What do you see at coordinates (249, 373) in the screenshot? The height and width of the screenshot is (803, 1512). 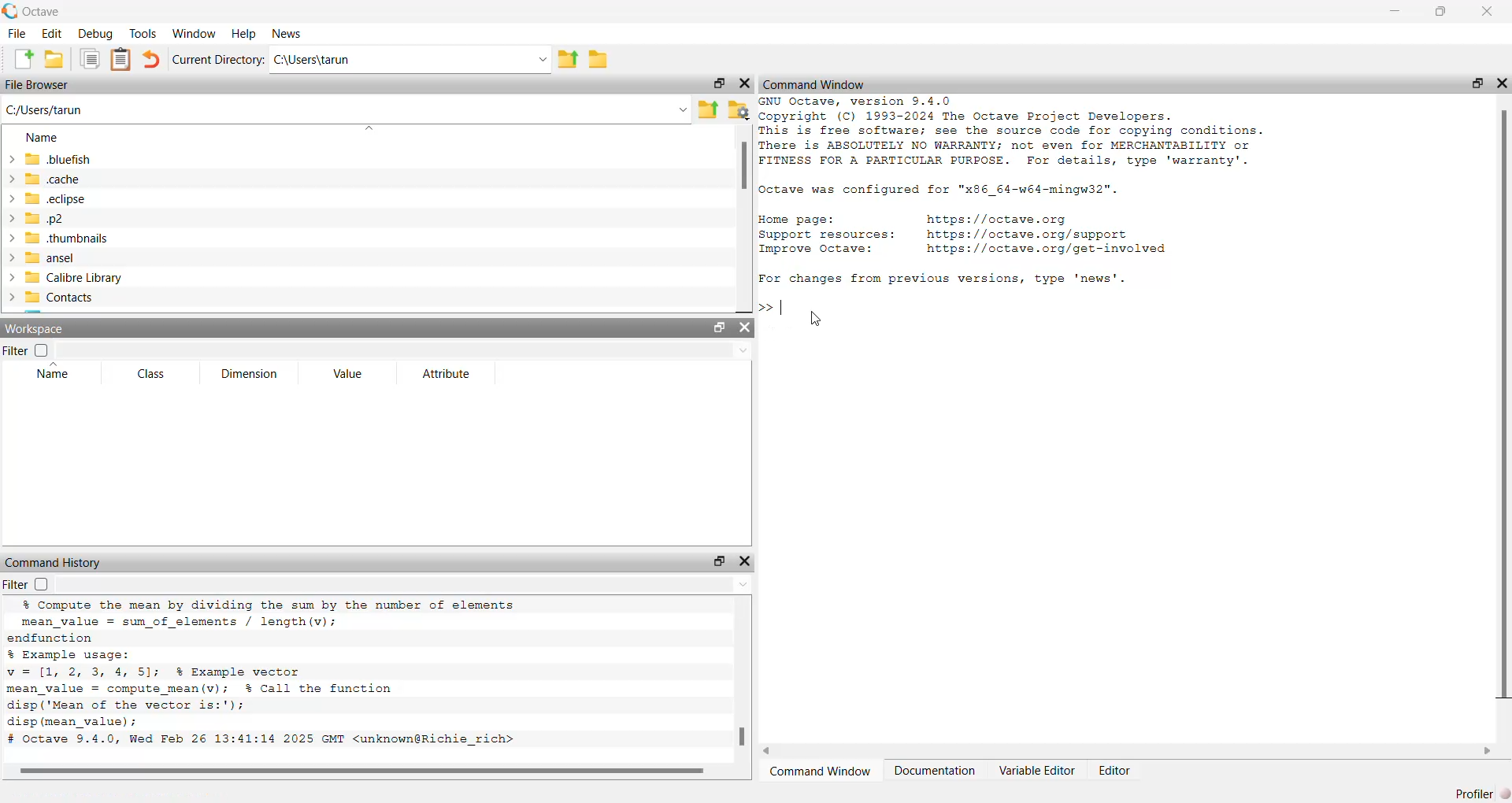 I see `Dimension` at bounding box center [249, 373].